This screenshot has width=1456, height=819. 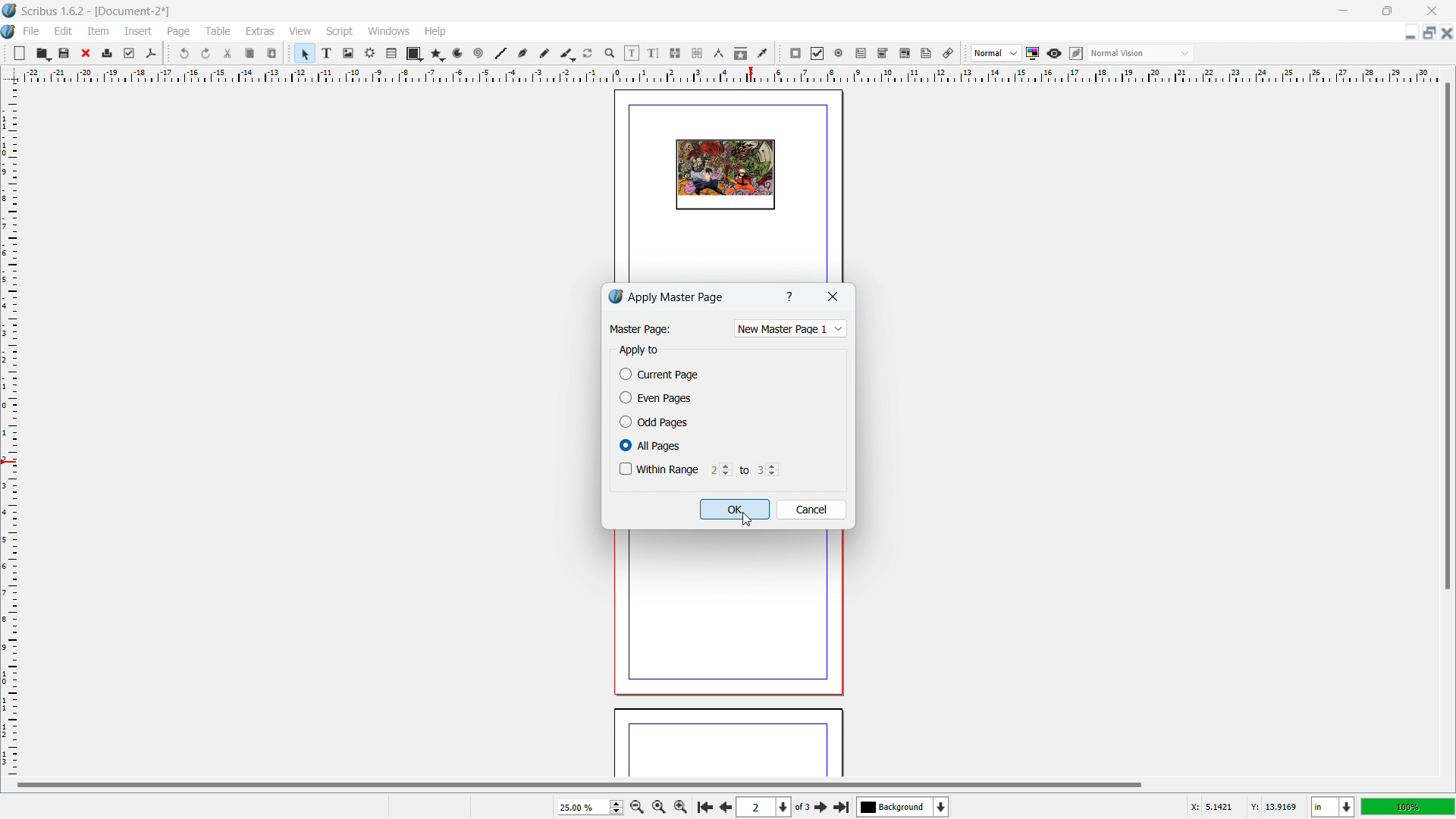 What do you see at coordinates (5, 52) in the screenshot?
I see `move toolbox` at bounding box center [5, 52].